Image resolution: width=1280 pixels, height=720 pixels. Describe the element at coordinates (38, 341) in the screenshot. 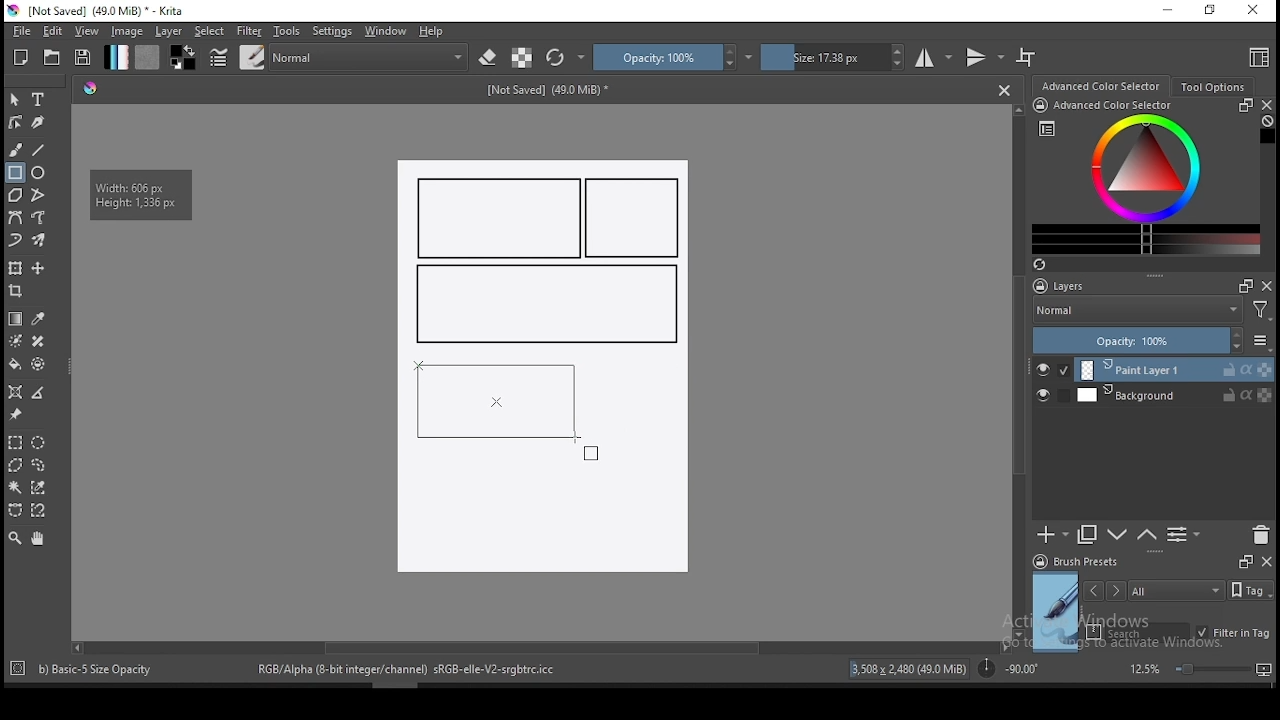

I see `smart patch tool` at that location.